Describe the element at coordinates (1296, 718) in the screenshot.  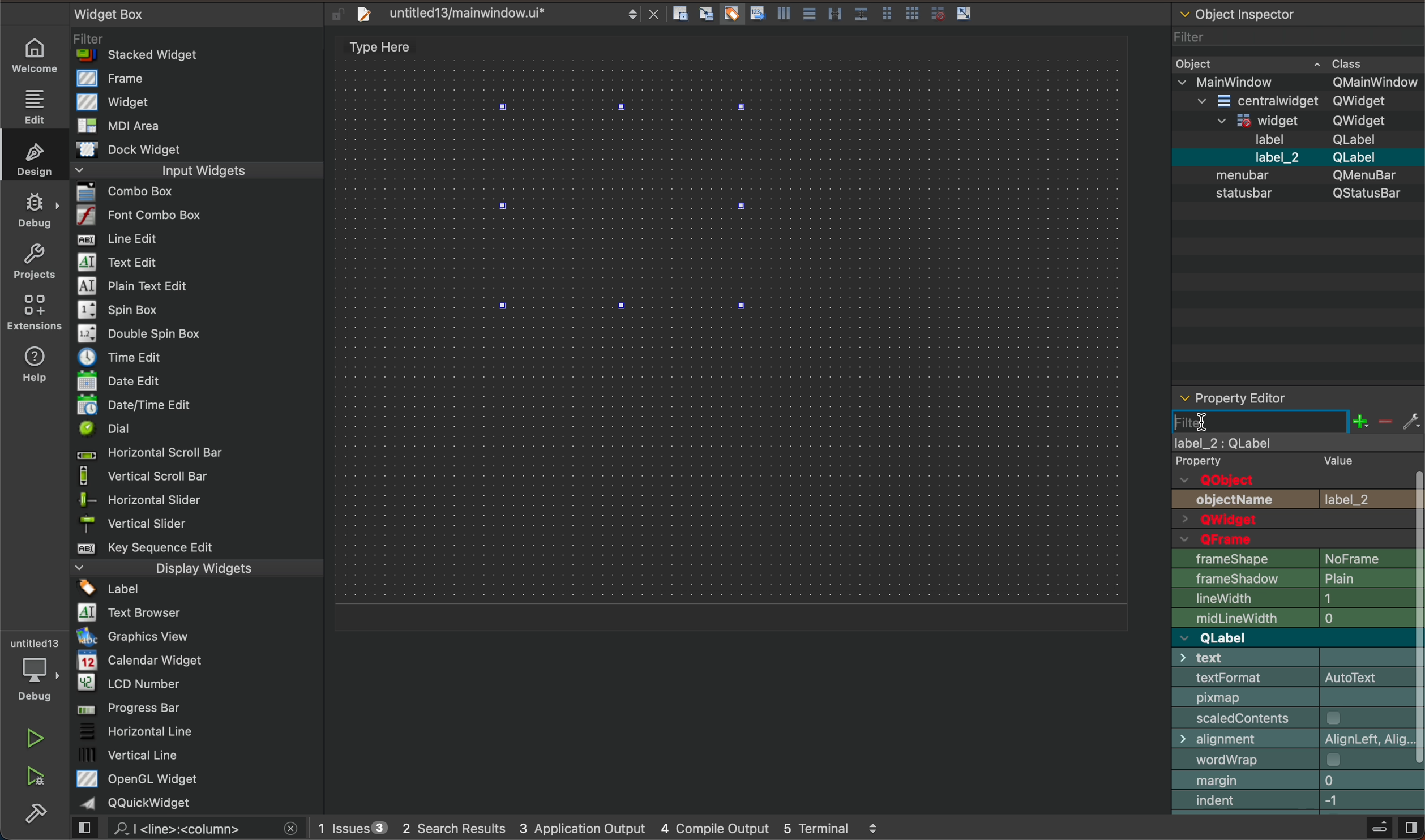
I see `` at that location.